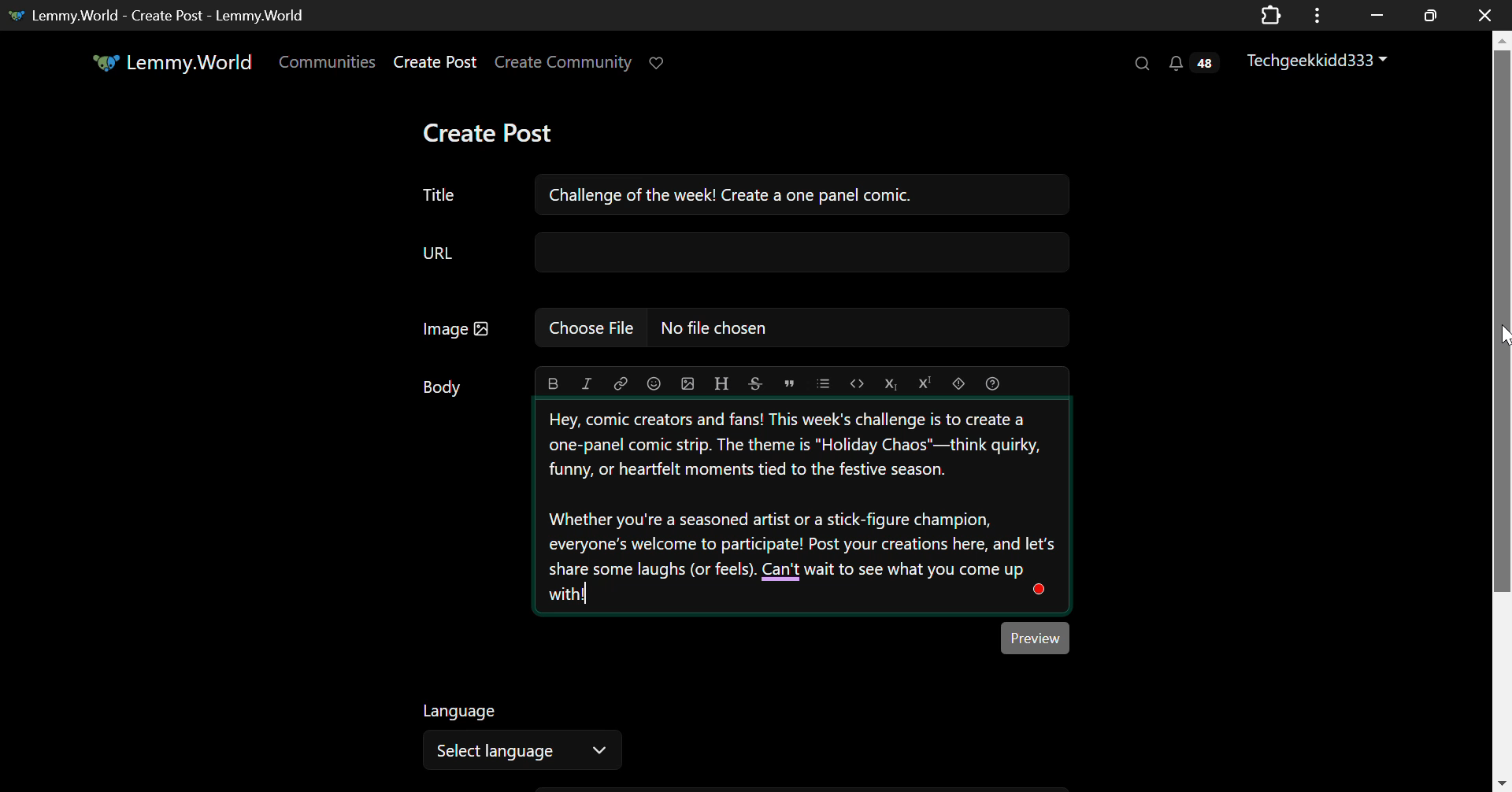  What do you see at coordinates (1503, 418) in the screenshot?
I see `Vertical Scroll Bar` at bounding box center [1503, 418].